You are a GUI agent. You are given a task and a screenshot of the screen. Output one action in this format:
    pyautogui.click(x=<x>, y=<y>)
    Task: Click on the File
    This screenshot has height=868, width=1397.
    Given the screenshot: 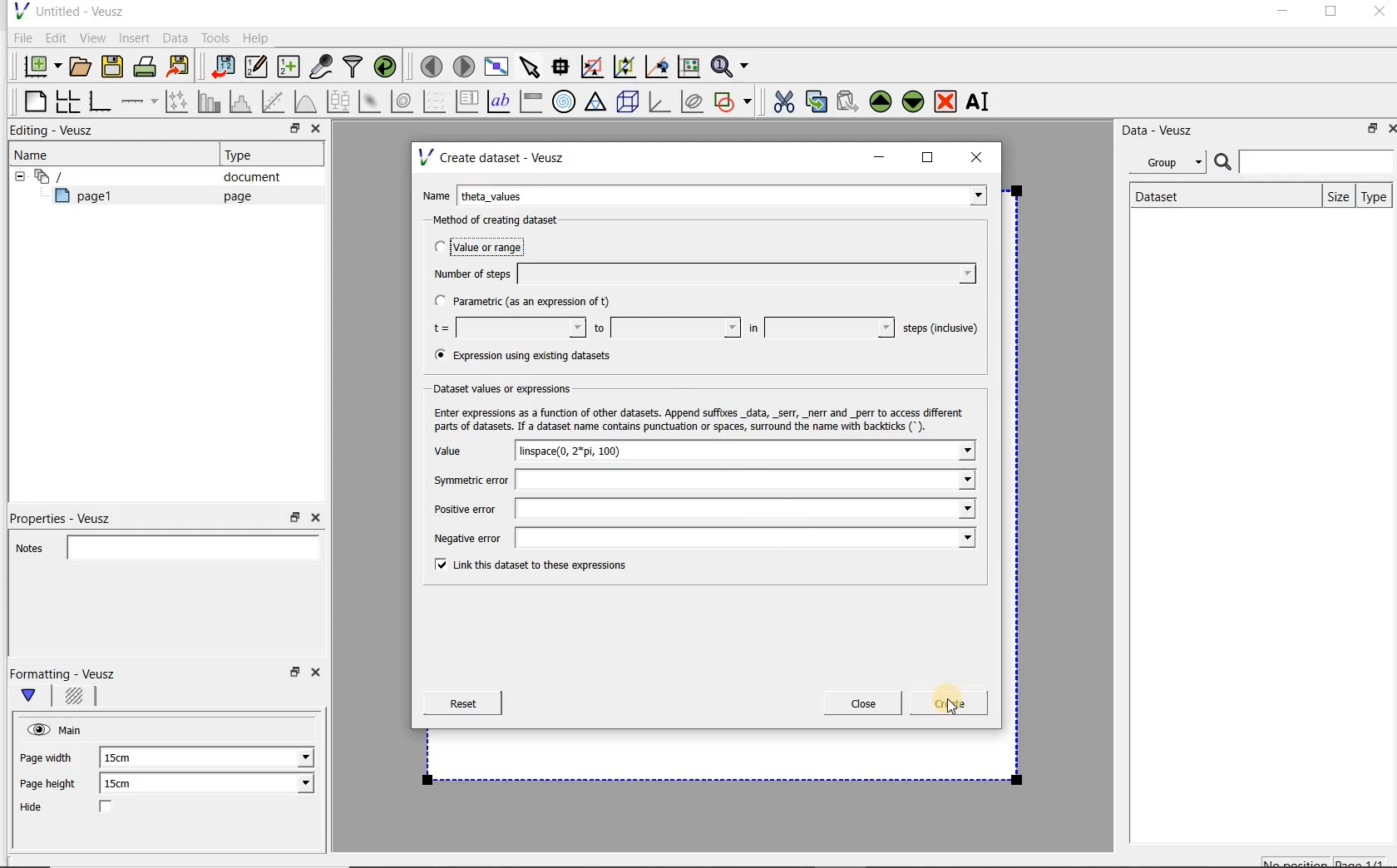 What is the action you would take?
    pyautogui.click(x=20, y=38)
    